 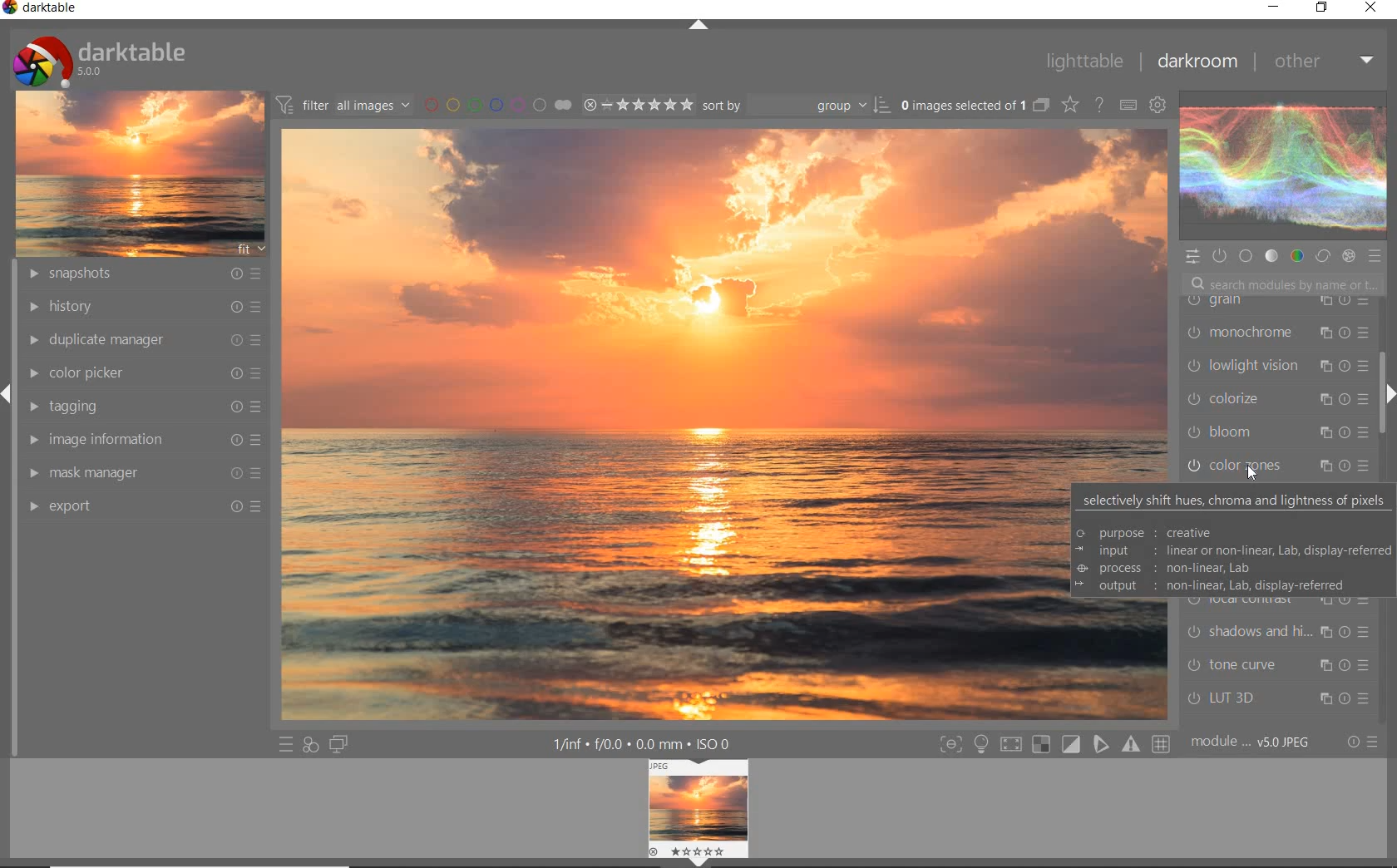 I want to click on TONE , so click(x=1271, y=256).